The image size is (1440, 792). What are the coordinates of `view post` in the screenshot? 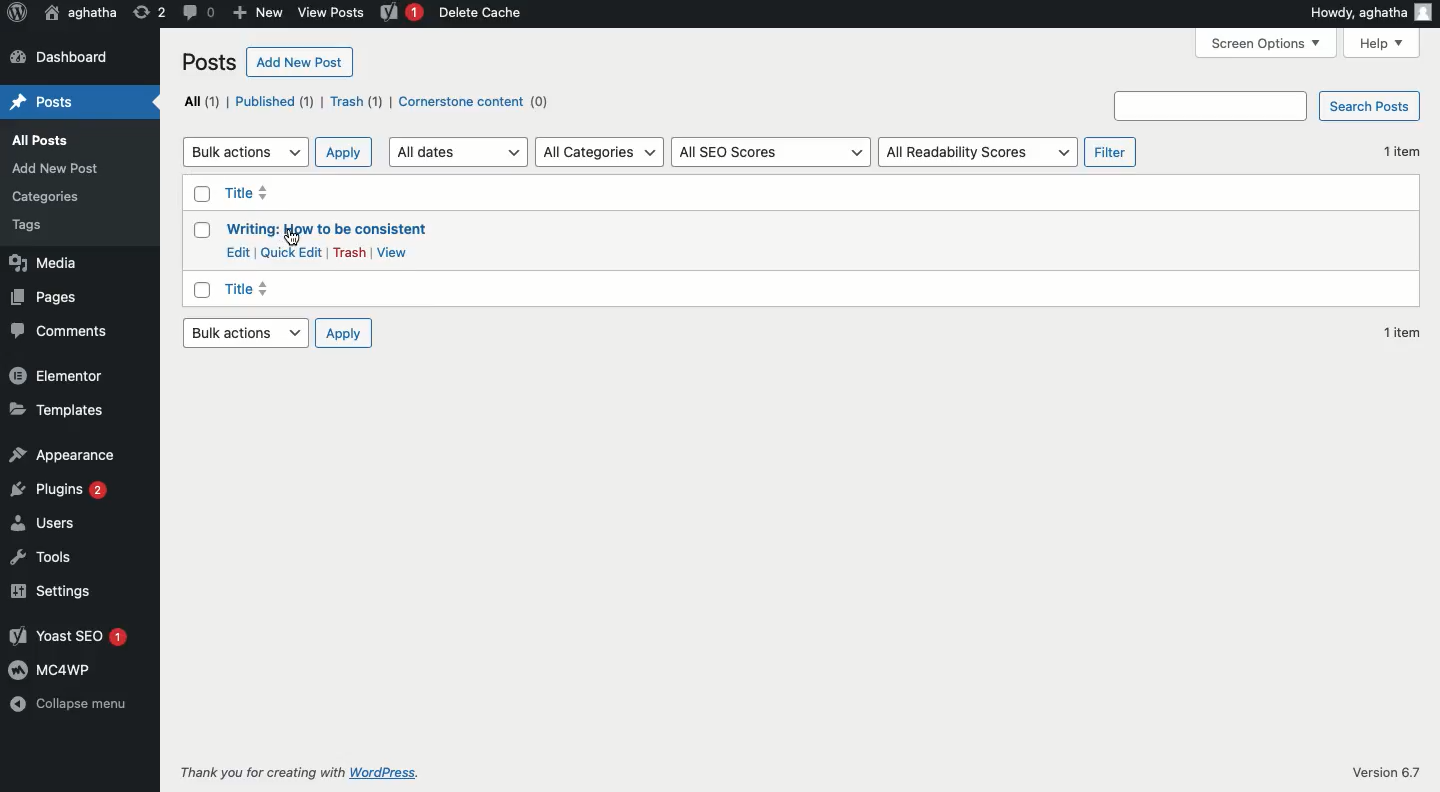 It's located at (330, 12).